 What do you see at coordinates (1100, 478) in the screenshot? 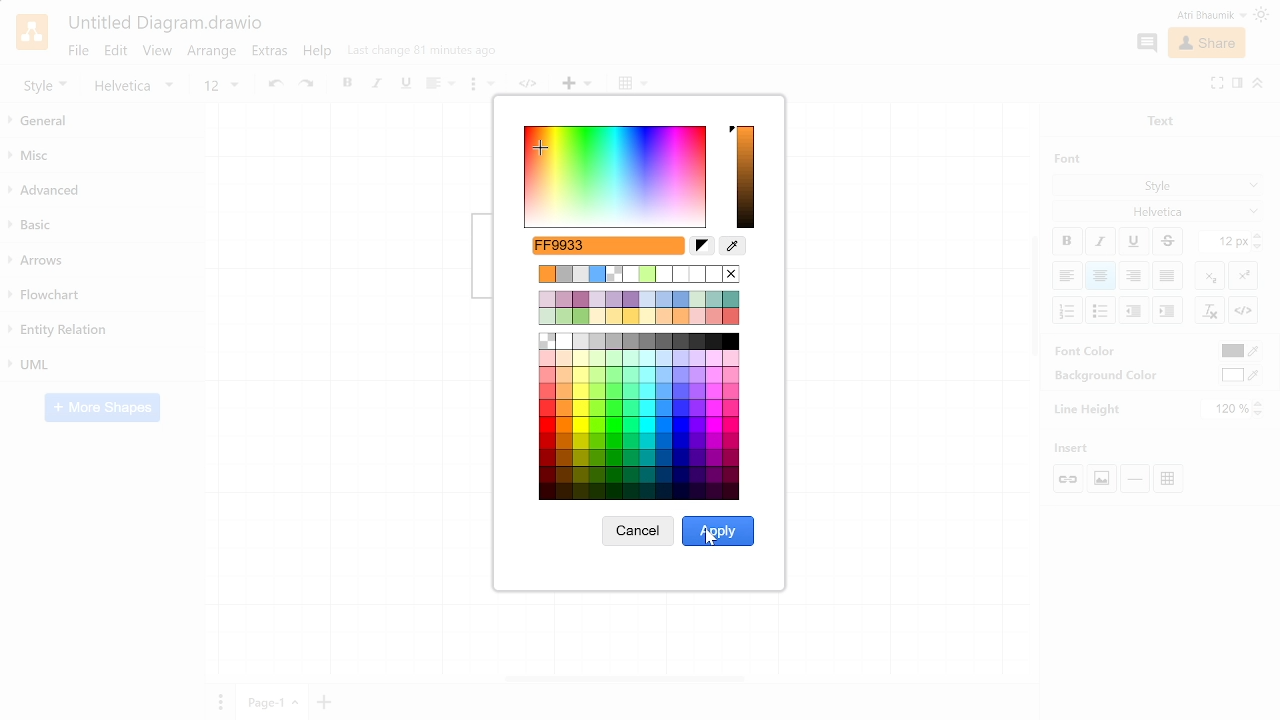
I see `Image` at bounding box center [1100, 478].